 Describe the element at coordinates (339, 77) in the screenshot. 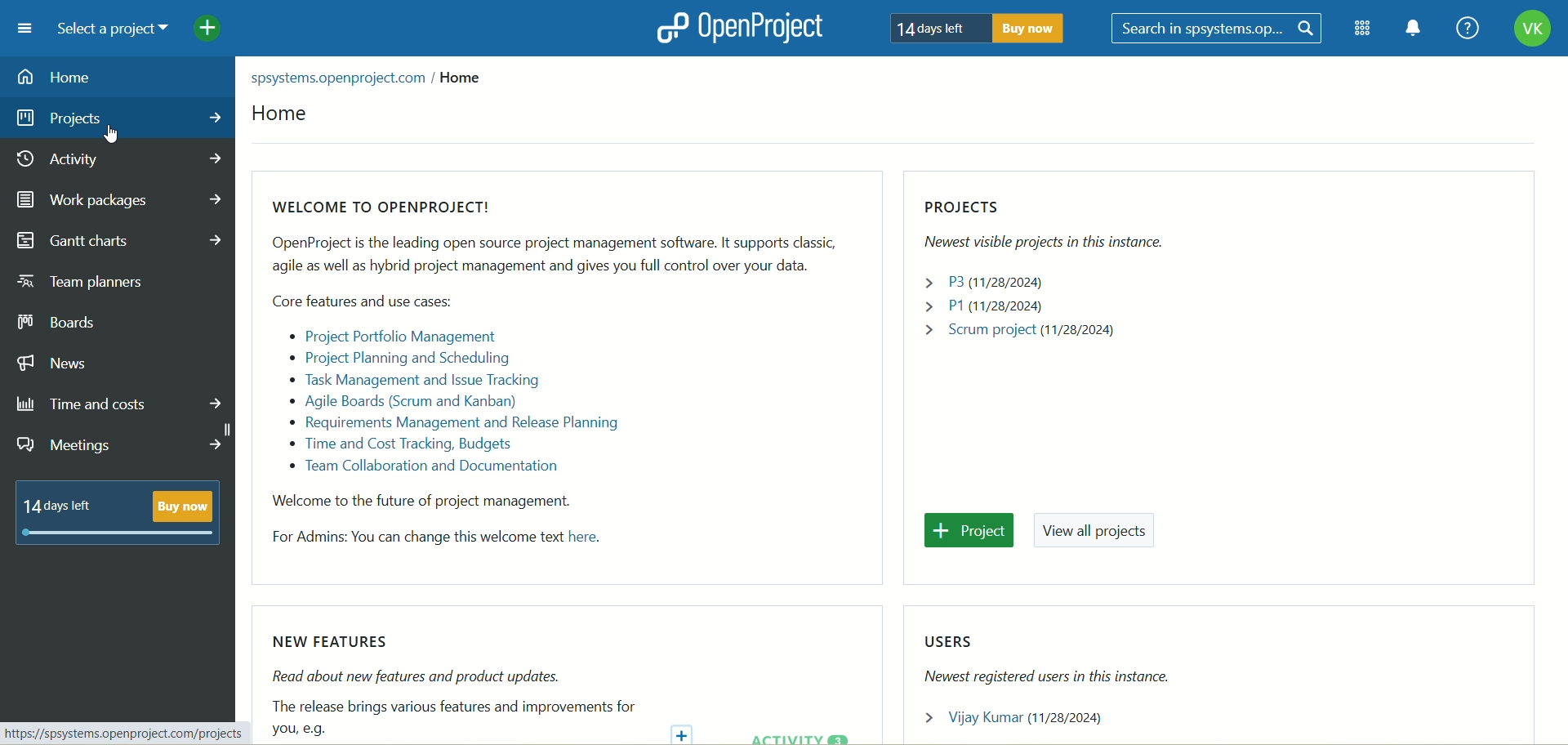

I see `spsystems.openproject.com /` at that location.